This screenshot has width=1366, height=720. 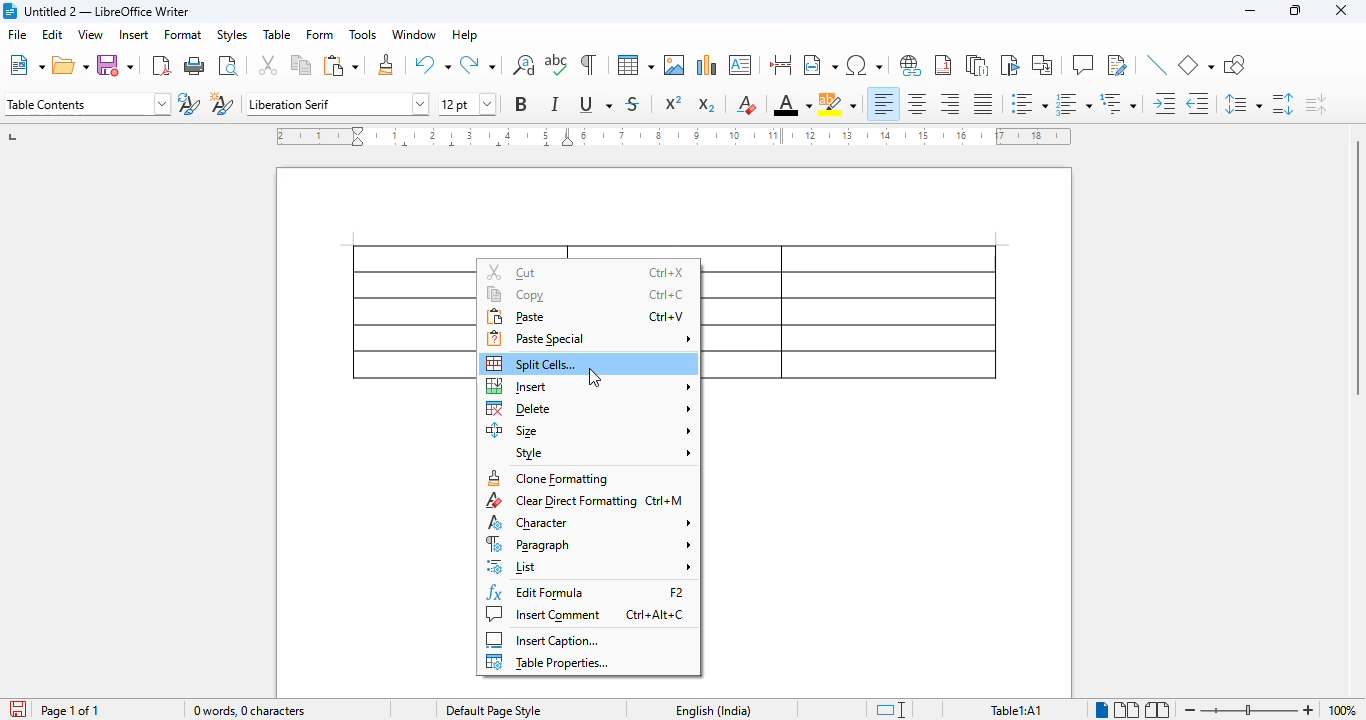 I want to click on insert comment, so click(x=1083, y=65).